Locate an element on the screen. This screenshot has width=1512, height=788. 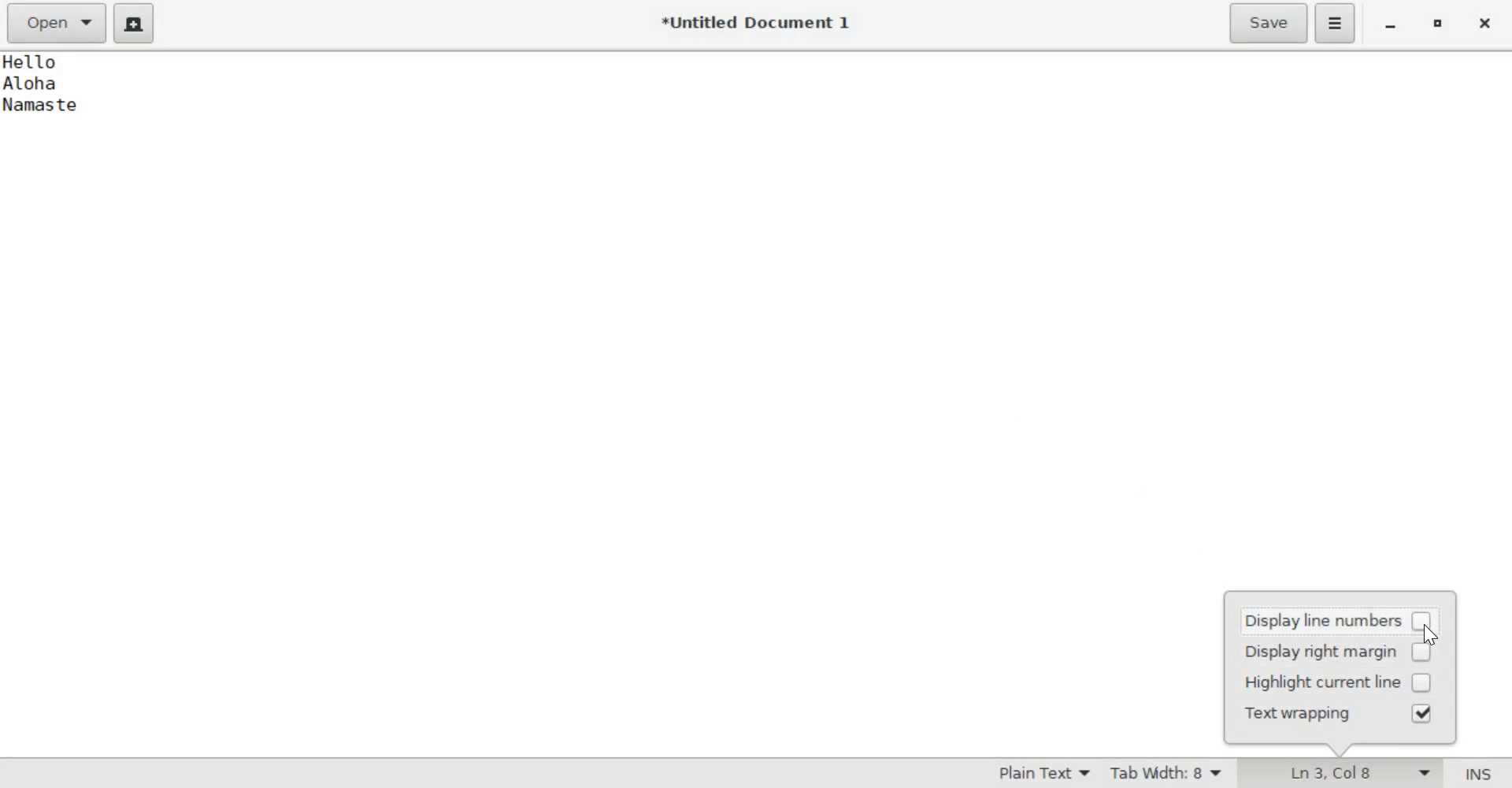
Open a file is located at coordinates (58, 22).